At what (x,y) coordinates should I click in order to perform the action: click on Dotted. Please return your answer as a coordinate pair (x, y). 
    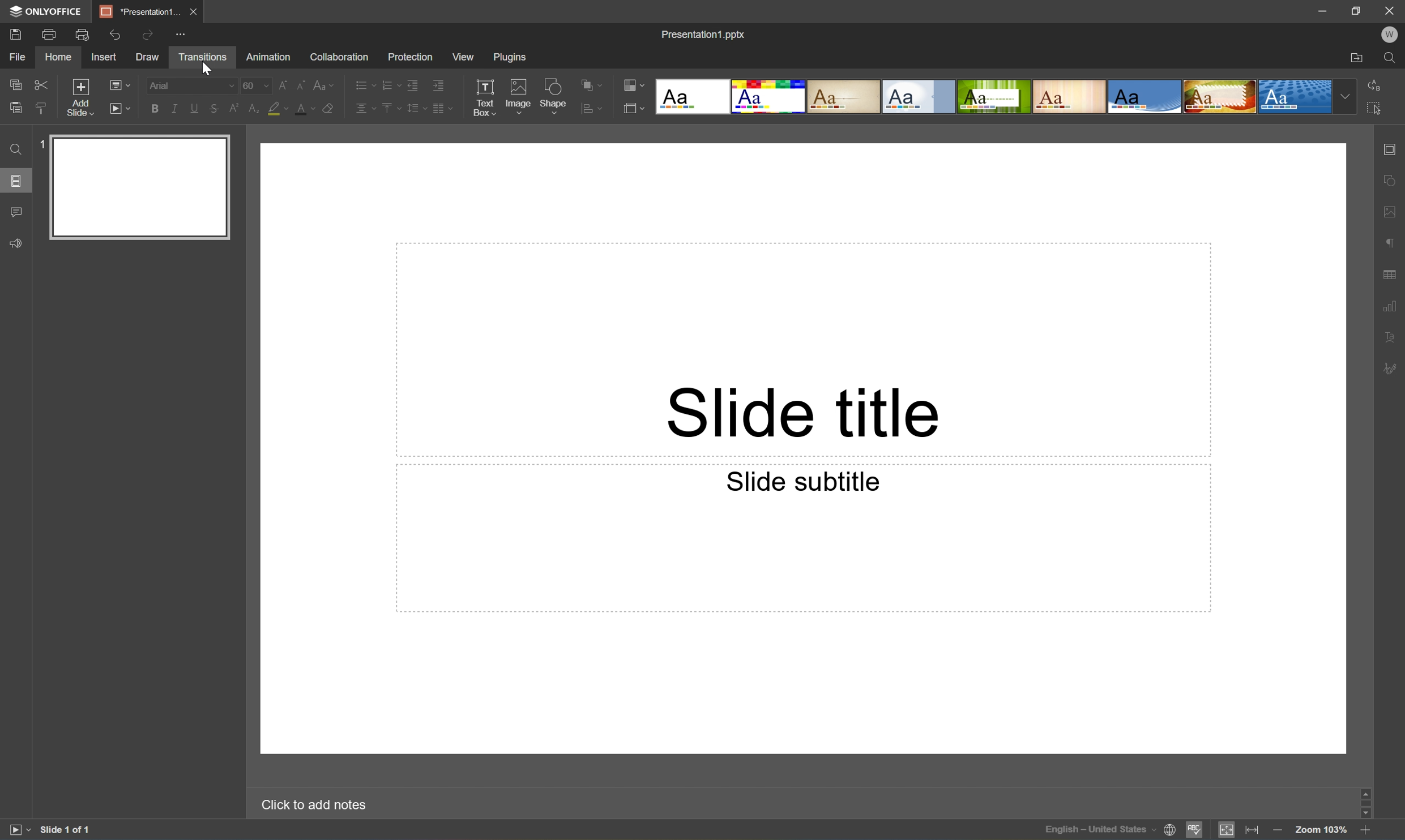
    Looking at the image, I should click on (1295, 96).